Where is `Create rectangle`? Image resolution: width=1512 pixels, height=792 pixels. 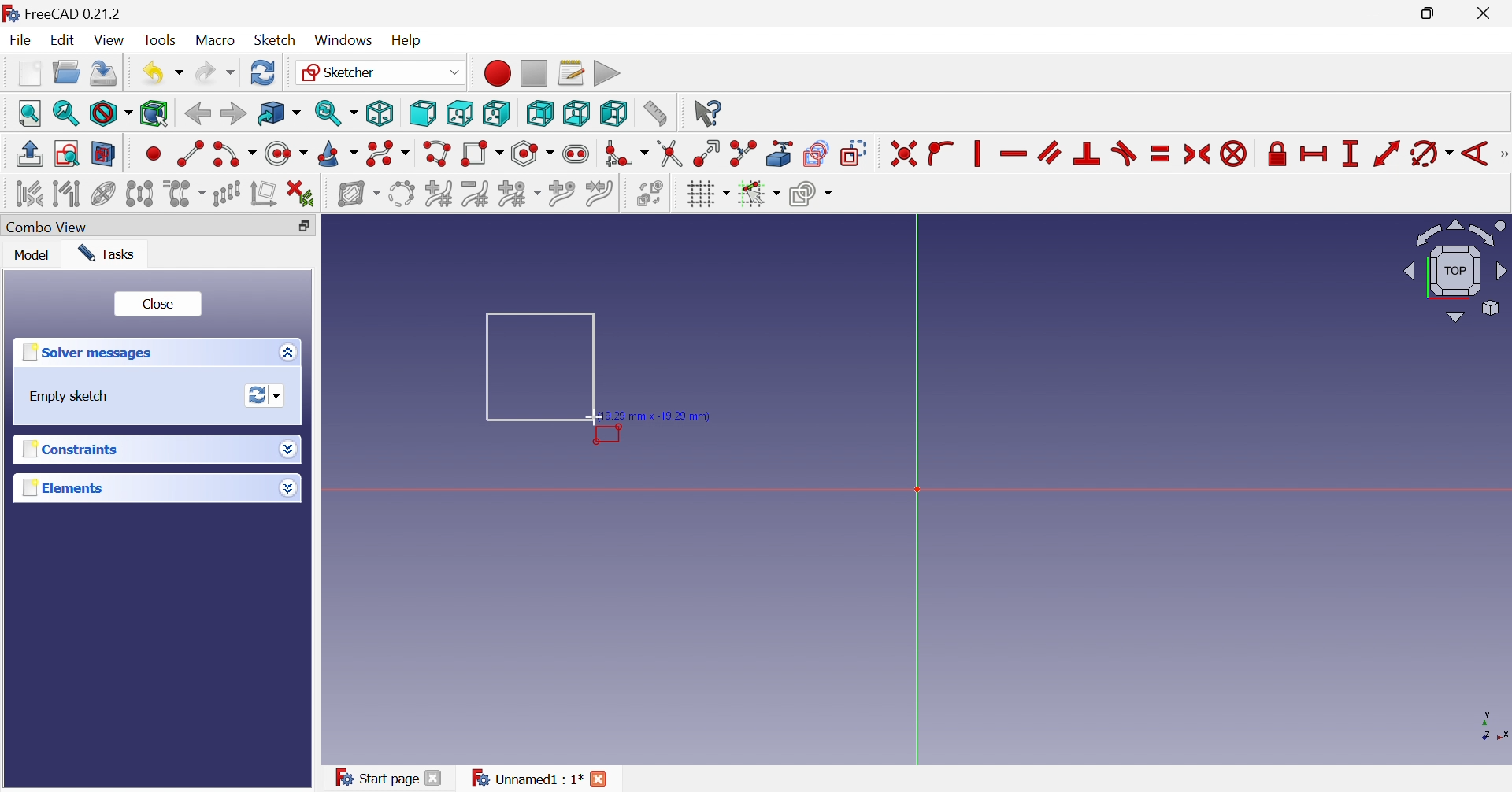 Create rectangle is located at coordinates (481, 154).